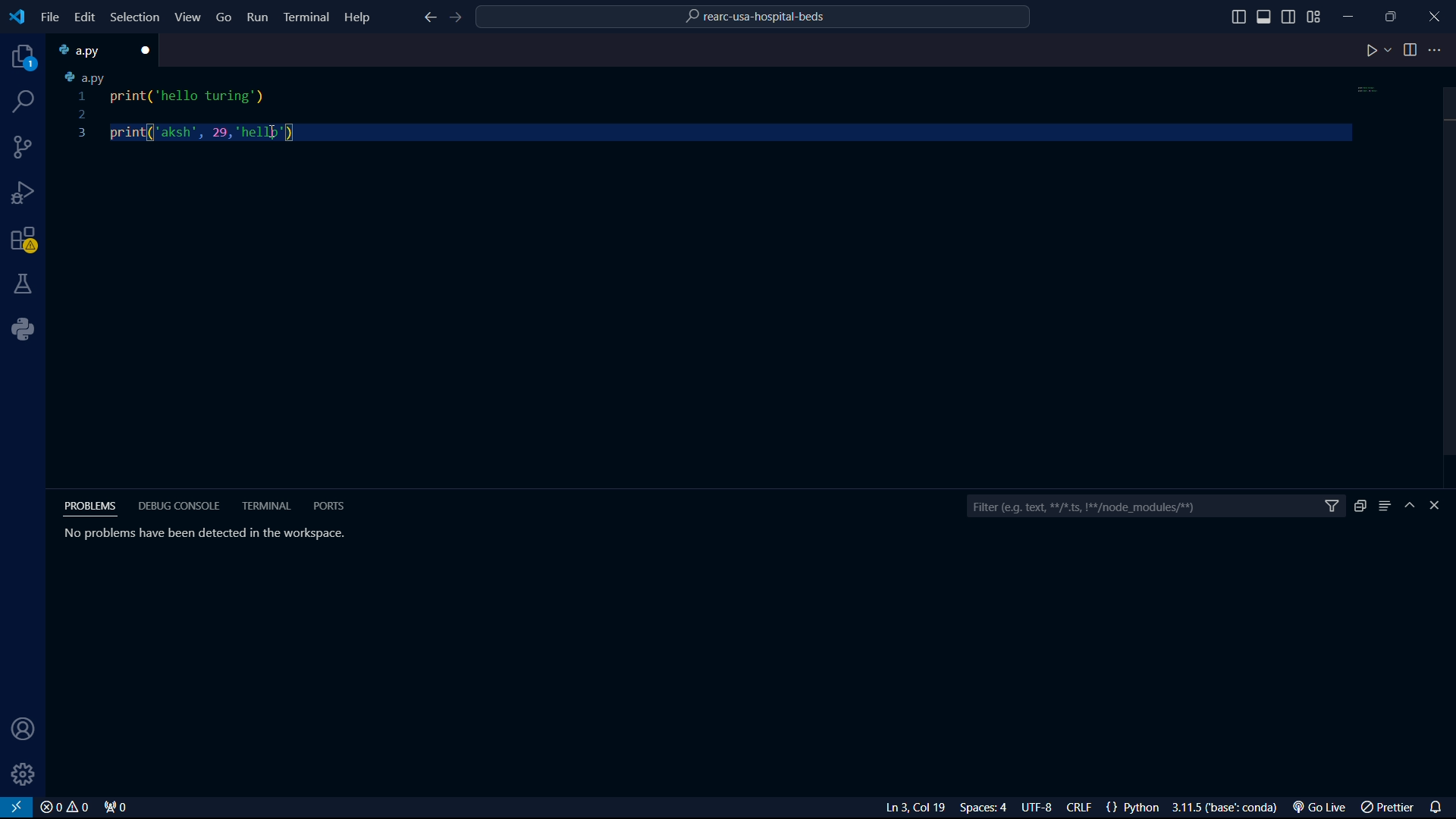 This screenshot has height=819, width=1456. I want to click on warning, so click(24, 242).